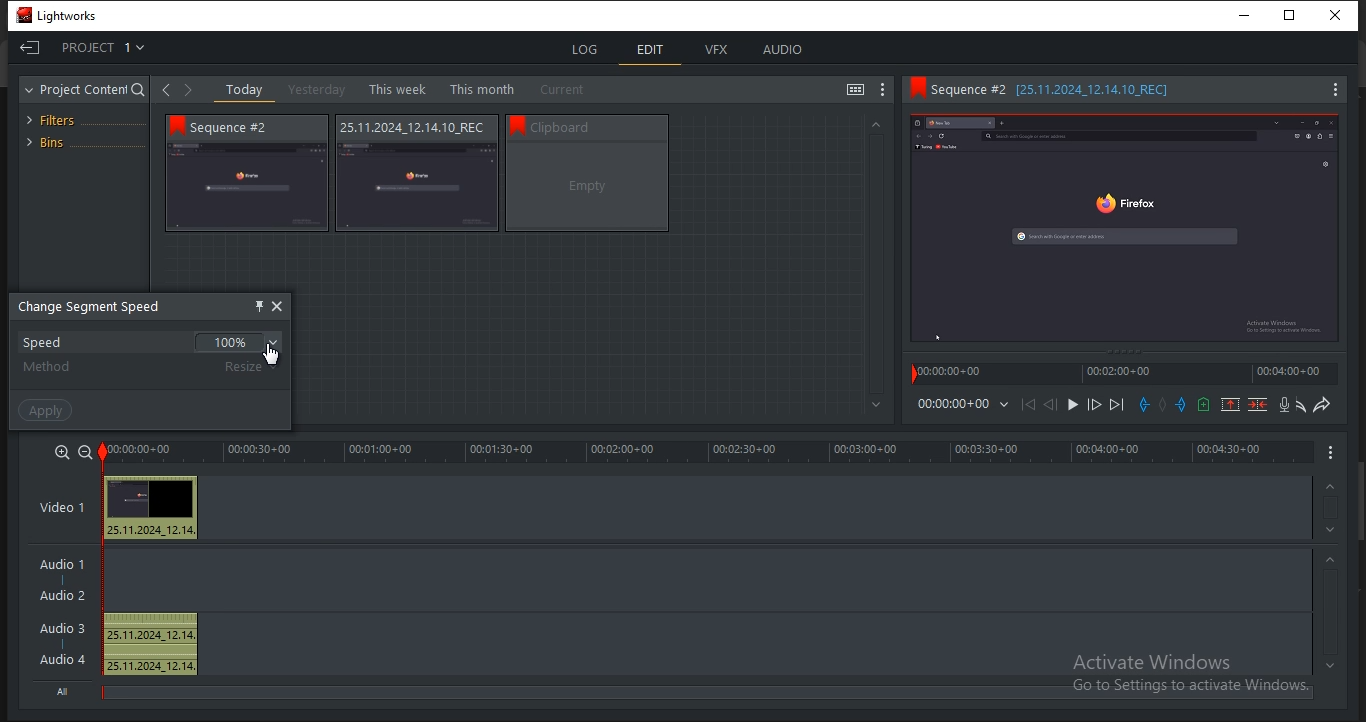 This screenshot has width=1366, height=722. What do you see at coordinates (952, 404) in the screenshot?
I see `time` at bounding box center [952, 404].